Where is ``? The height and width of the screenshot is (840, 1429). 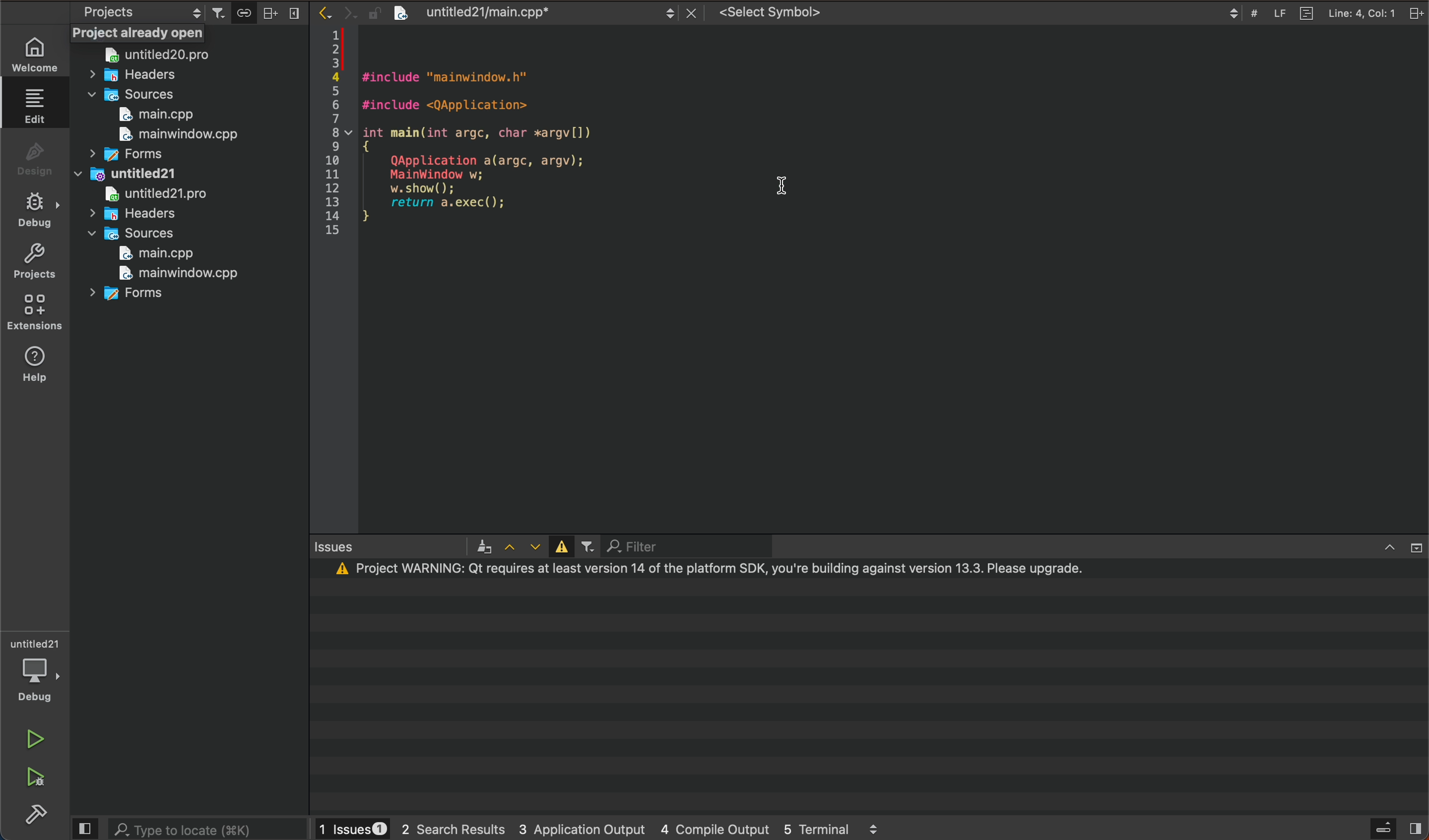
 is located at coordinates (257, 13).